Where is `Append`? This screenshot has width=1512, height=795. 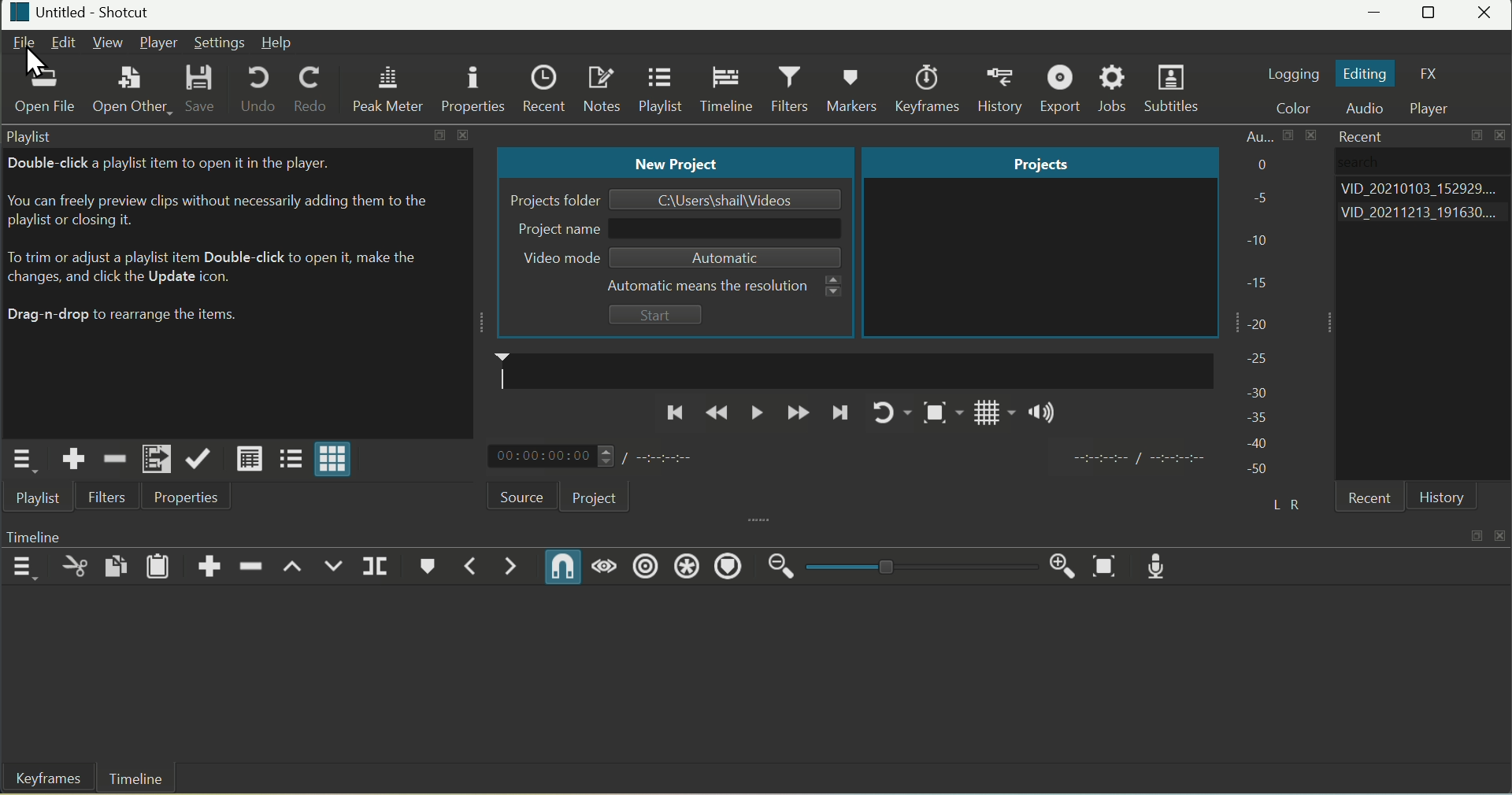
Append is located at coordinates (212, 563).